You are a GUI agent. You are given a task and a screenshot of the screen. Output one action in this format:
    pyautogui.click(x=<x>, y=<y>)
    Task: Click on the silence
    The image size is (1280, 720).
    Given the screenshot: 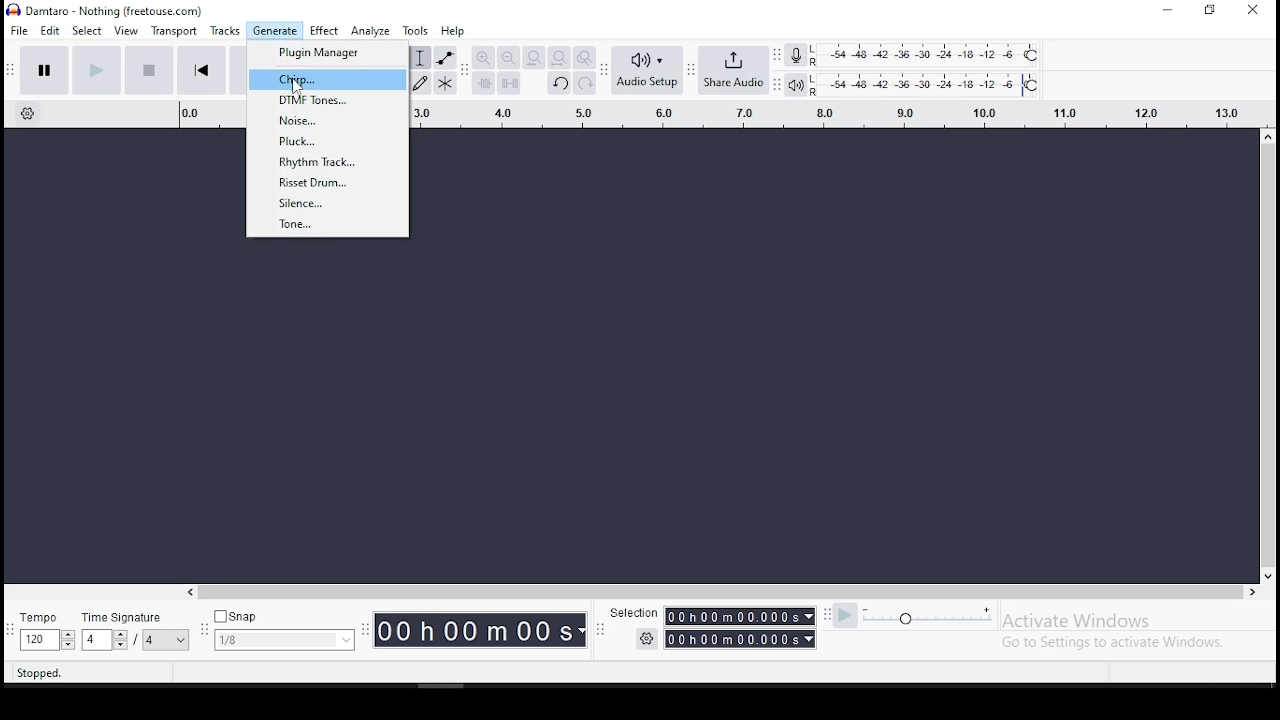 What is the action you would take?
    pyautogui.click(x=329, y=201)
    